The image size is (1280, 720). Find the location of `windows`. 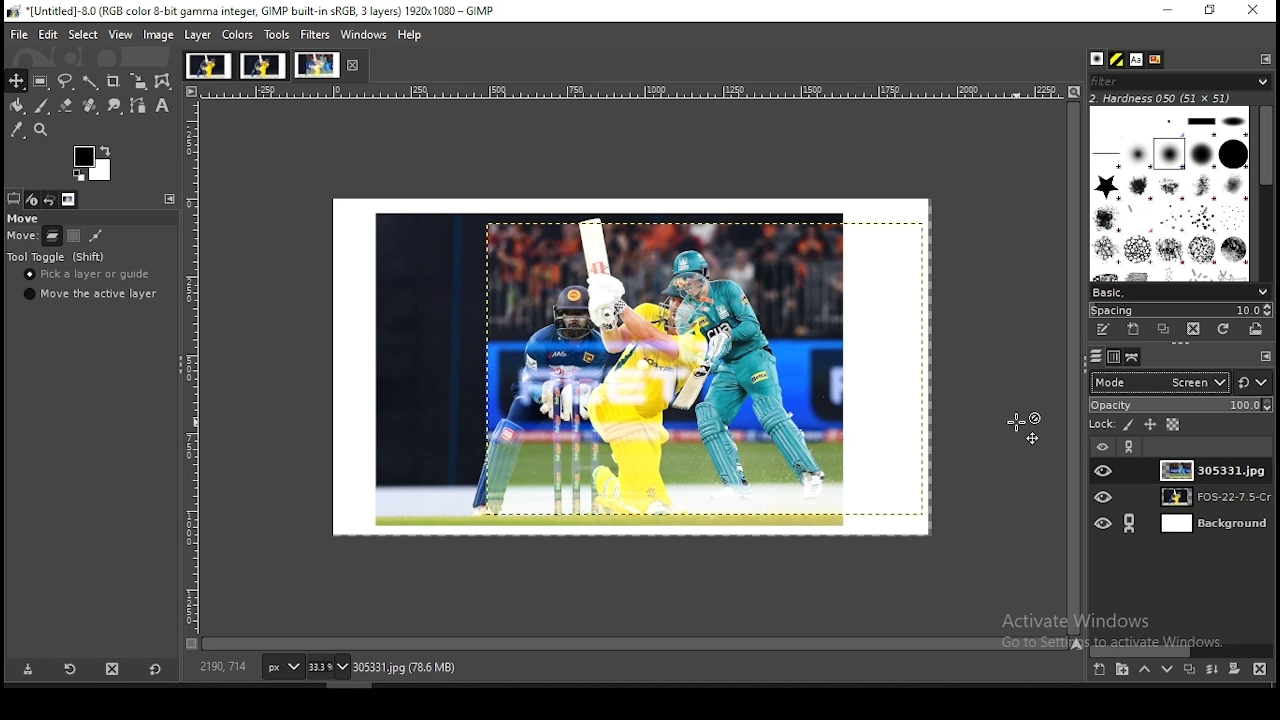

windows is located at coordinates (365, 35).